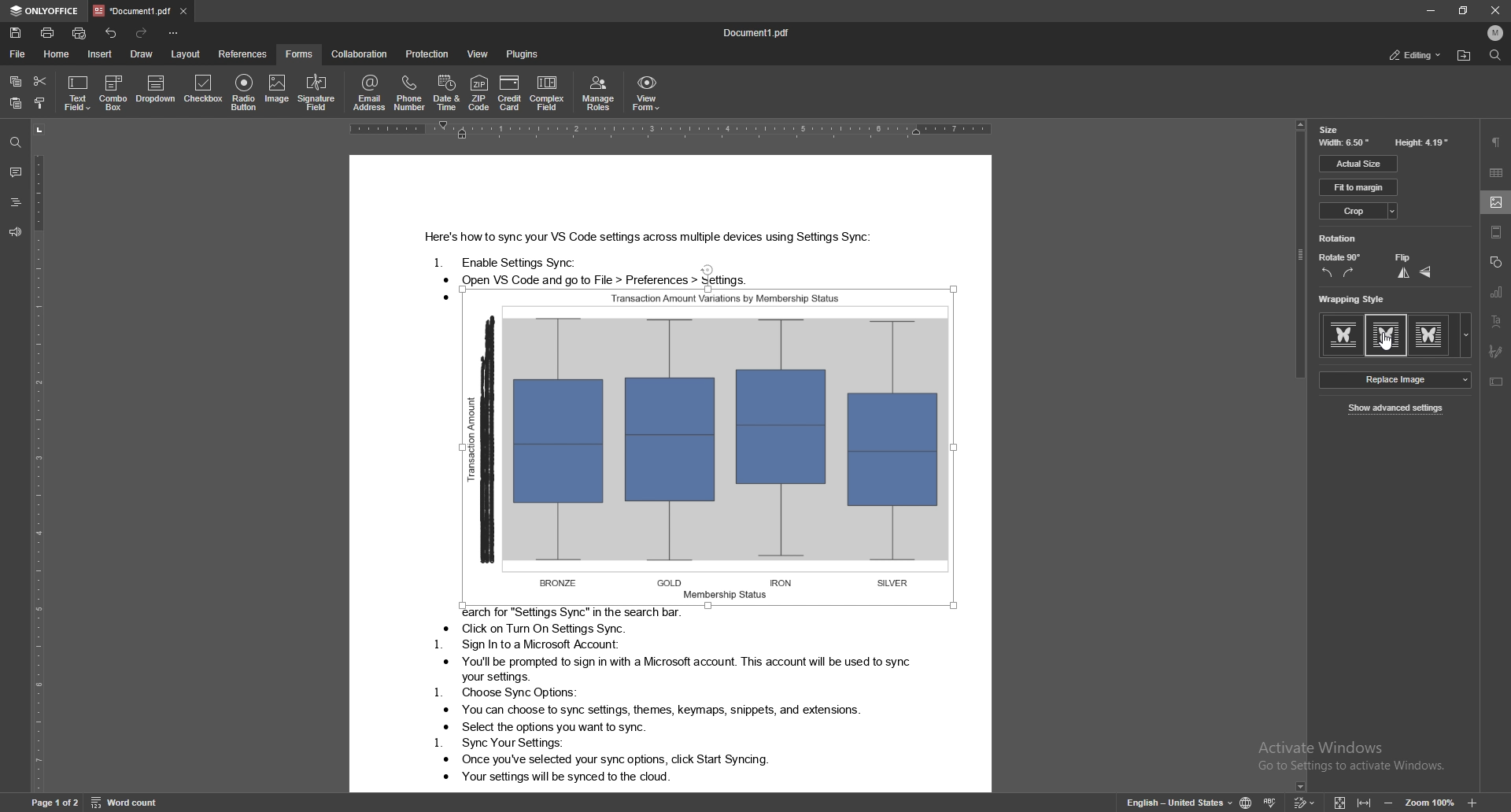 Image resolution: width=1511 pixels, height=812 pixels. What do you see at coordinates (409, 92) in the screenshot?
I see `phone number` at bounding box center [409, 92].